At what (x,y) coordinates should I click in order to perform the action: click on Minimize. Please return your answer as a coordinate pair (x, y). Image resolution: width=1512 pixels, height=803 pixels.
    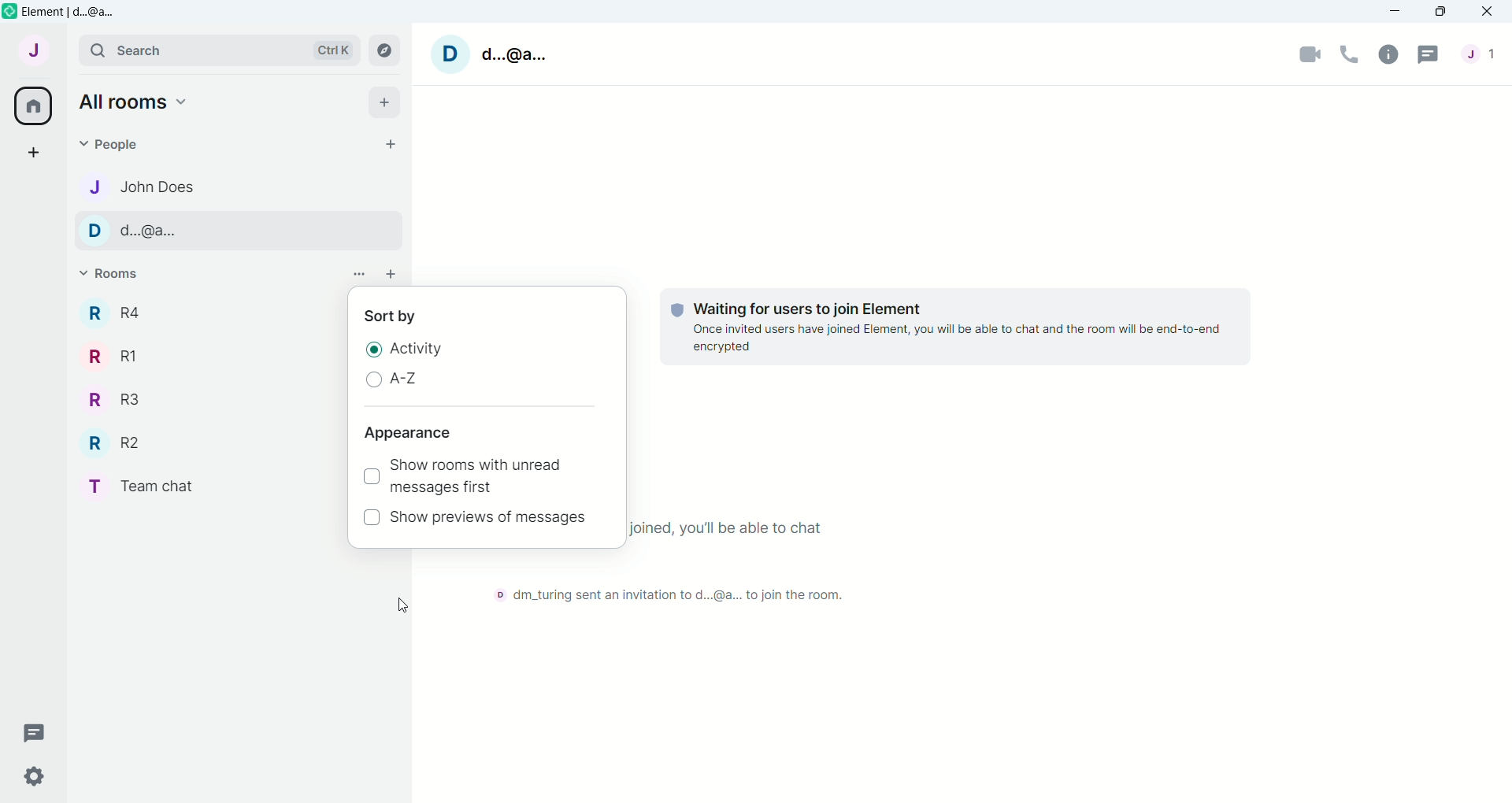
    Looking at the image, I should click on (1395, 11).